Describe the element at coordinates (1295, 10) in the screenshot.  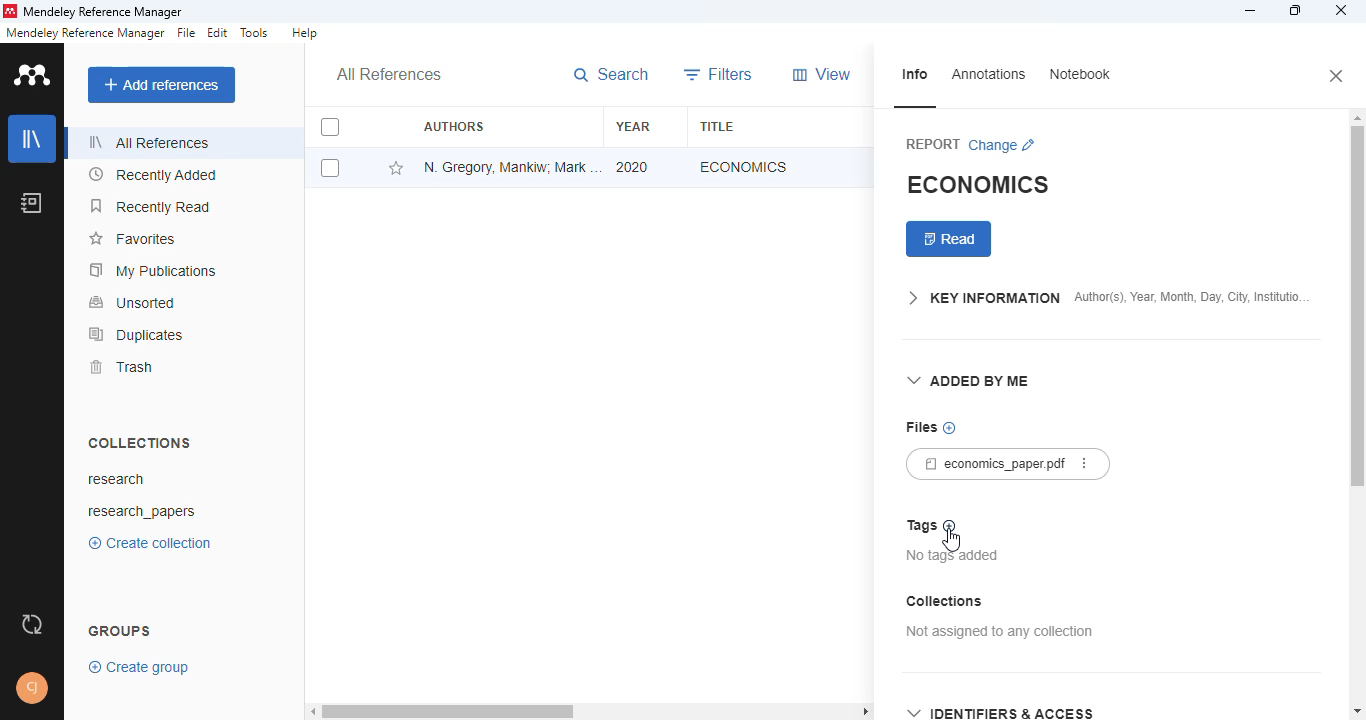
I see `maximize` at that location.